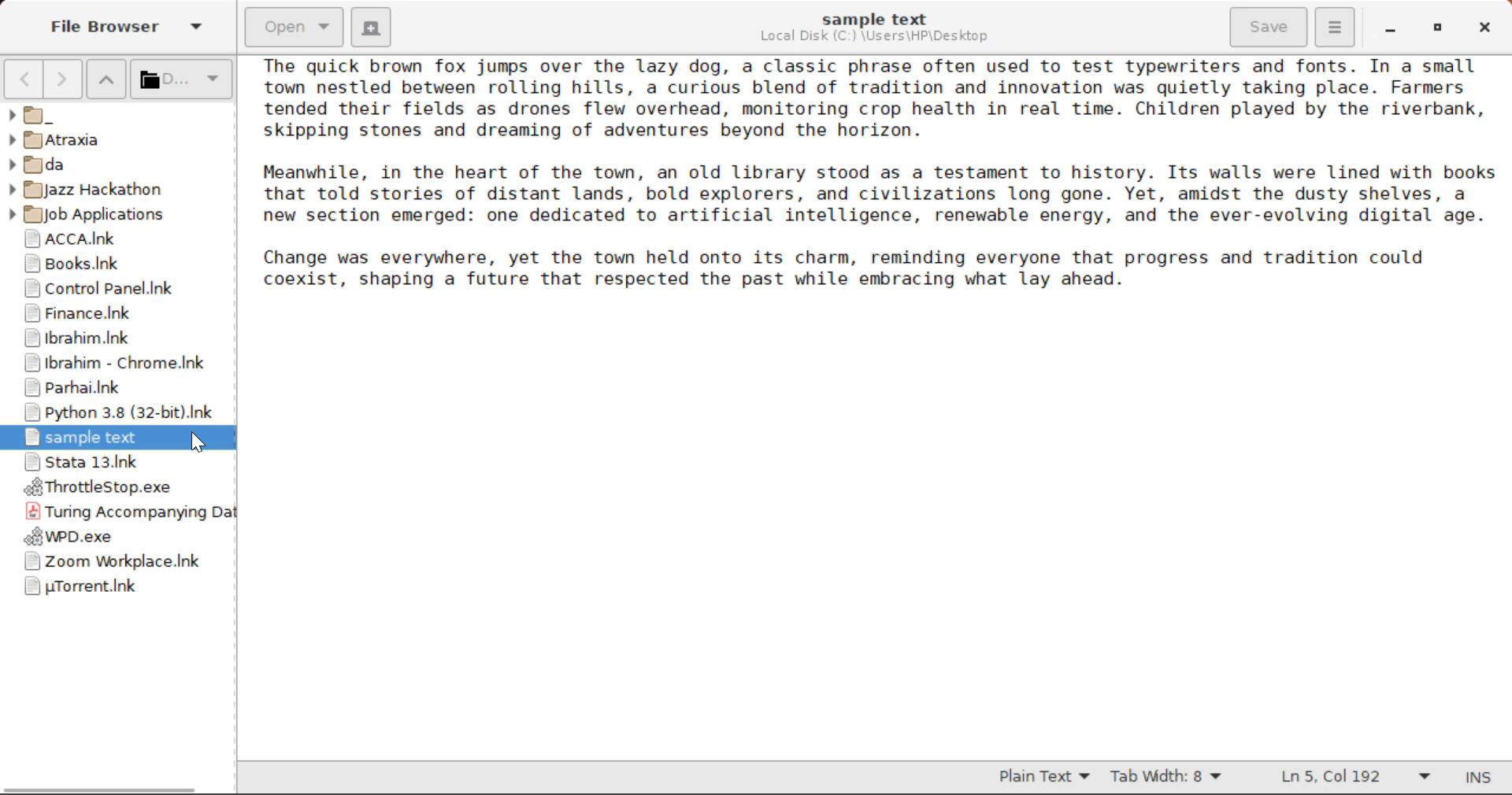 The width and height of the screenshot is (1512, 795). I want to click on Control Panel Shortcut, so click(117, 288).